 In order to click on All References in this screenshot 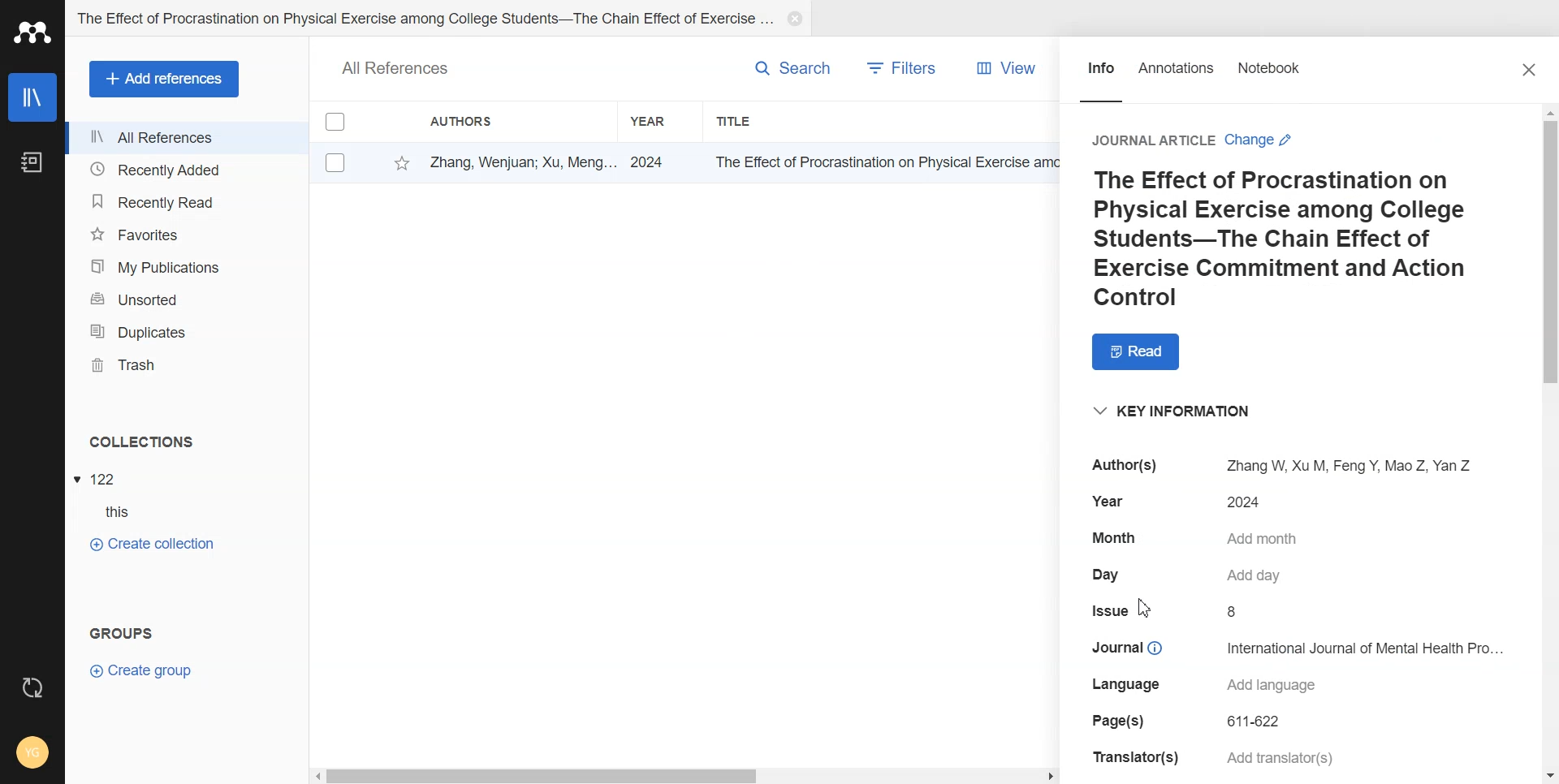, I will do `click(186, 138)`.